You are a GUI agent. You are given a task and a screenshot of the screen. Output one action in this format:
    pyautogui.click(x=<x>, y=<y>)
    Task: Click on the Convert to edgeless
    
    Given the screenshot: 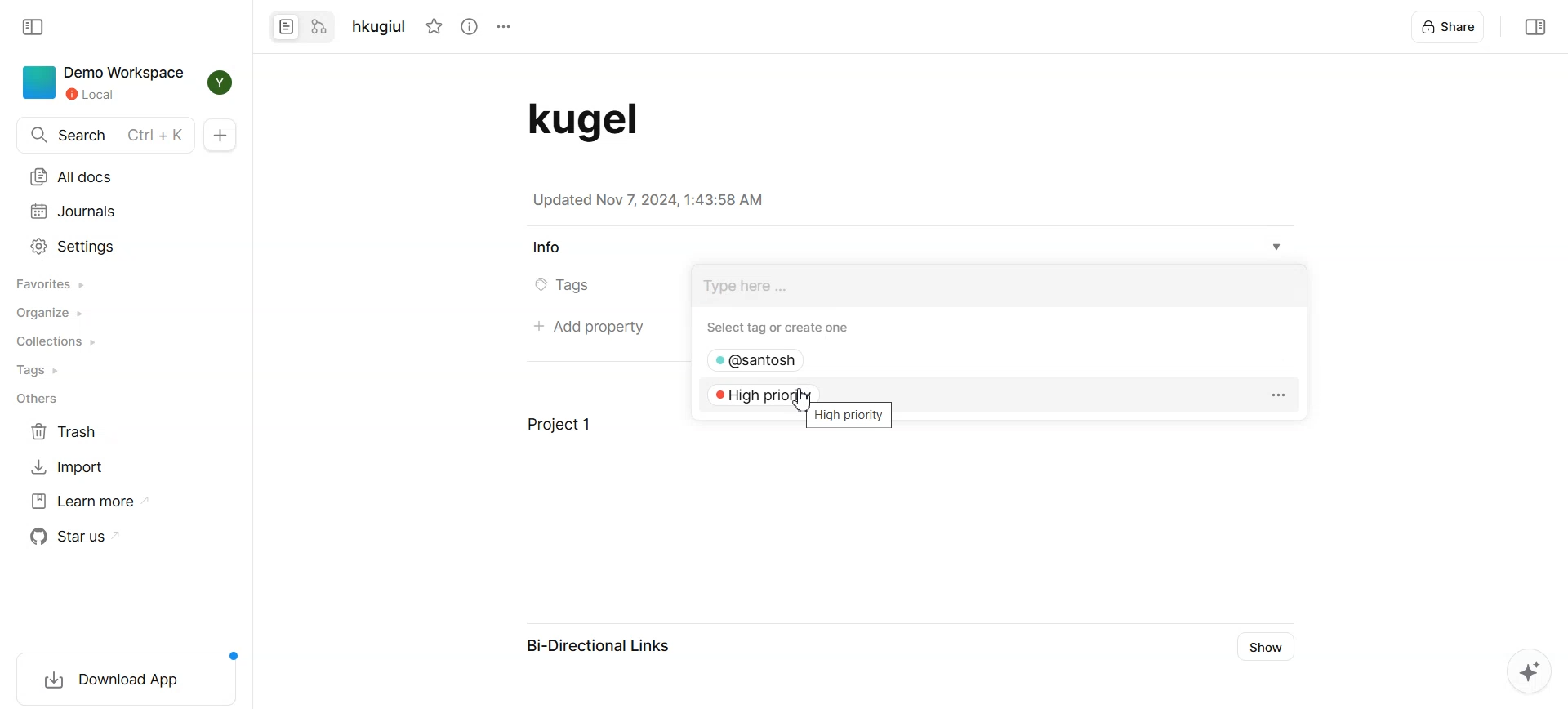 What is the action you would take?
    pyautogui.click(x=320, y=29)
    